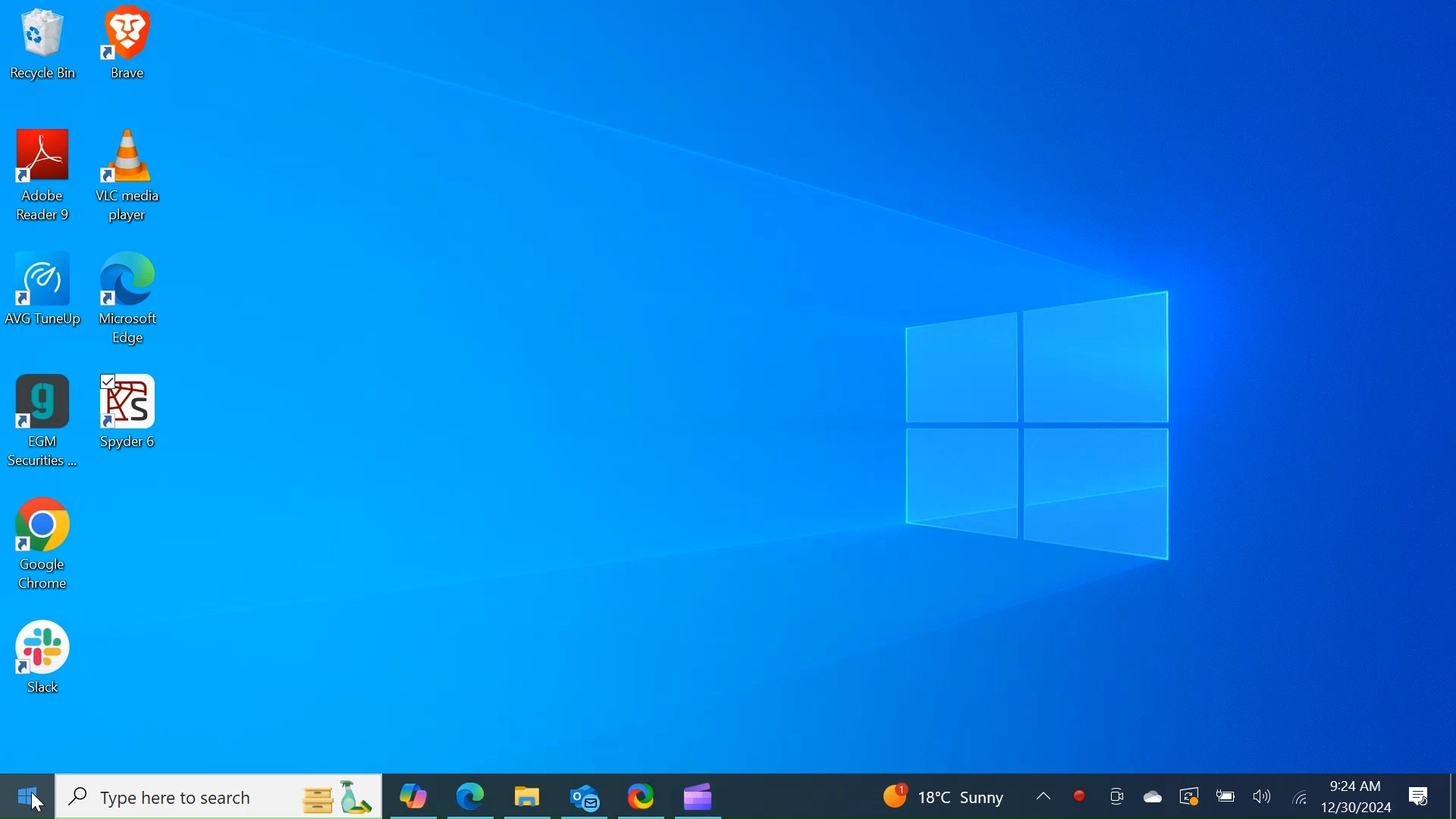 The height and width of the screenshot is (819, 1456). What do you see at coordinates (1417, 796) in the screenshot?
I see `Notification` at bounding box center [1417, 796].